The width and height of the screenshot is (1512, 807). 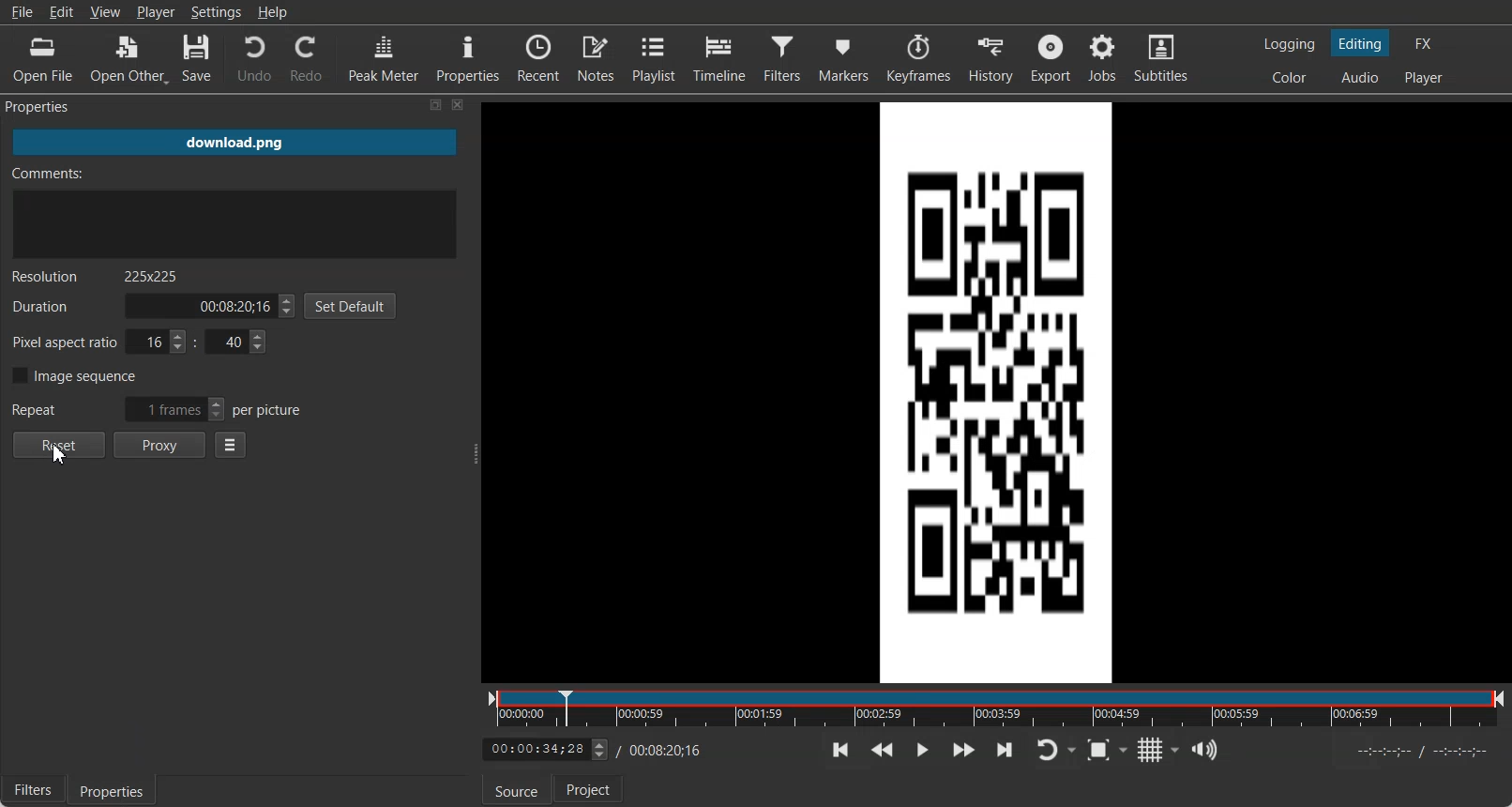 I want to click on Start and End Time, so click(x=1426, y=751).